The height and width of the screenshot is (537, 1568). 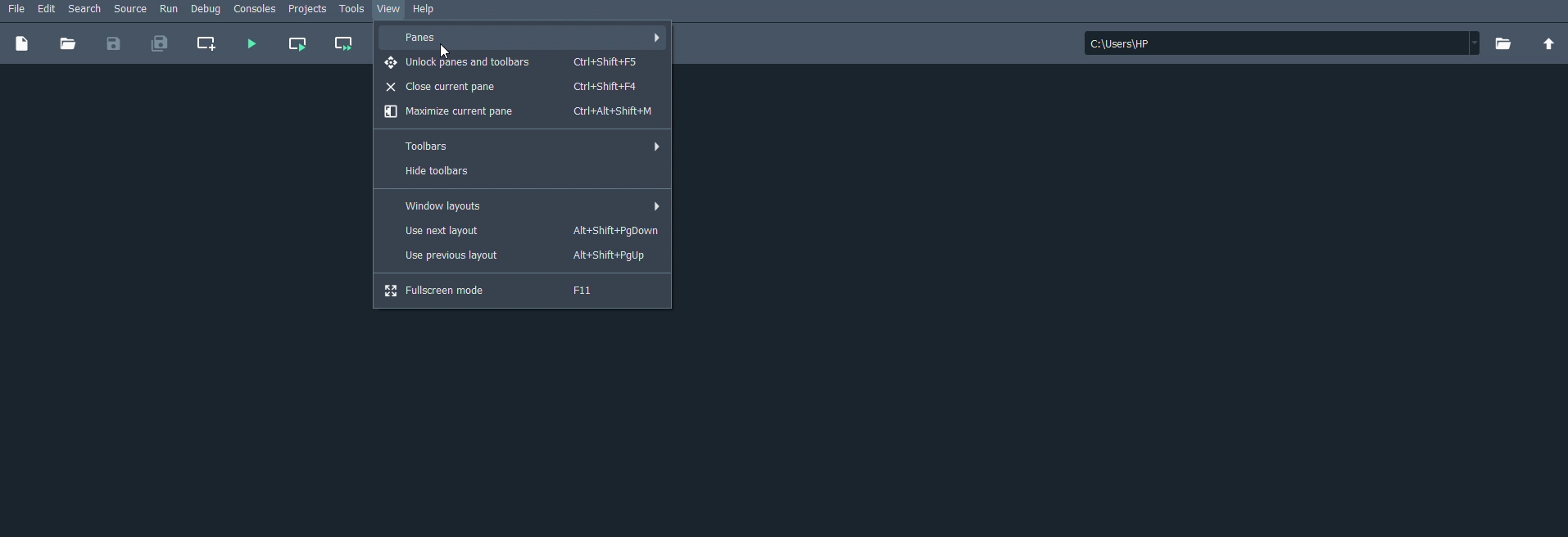 What do you see at coordinates (528, 256) in the screenshot?
I see `Use previous layout` at bounding box center [528, 256].